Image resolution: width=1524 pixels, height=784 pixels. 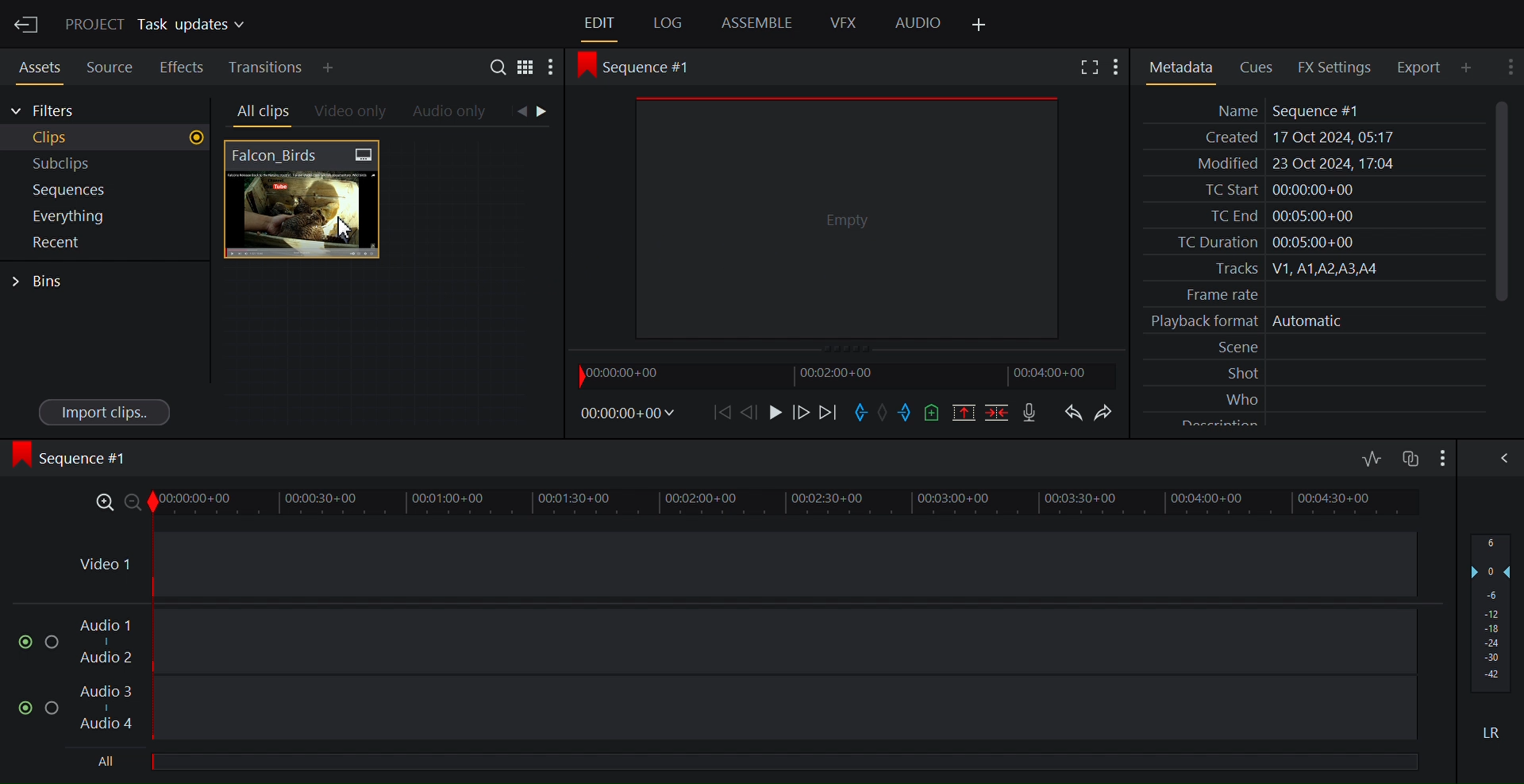 I want to click on All clips, so click(x=260, y=112).